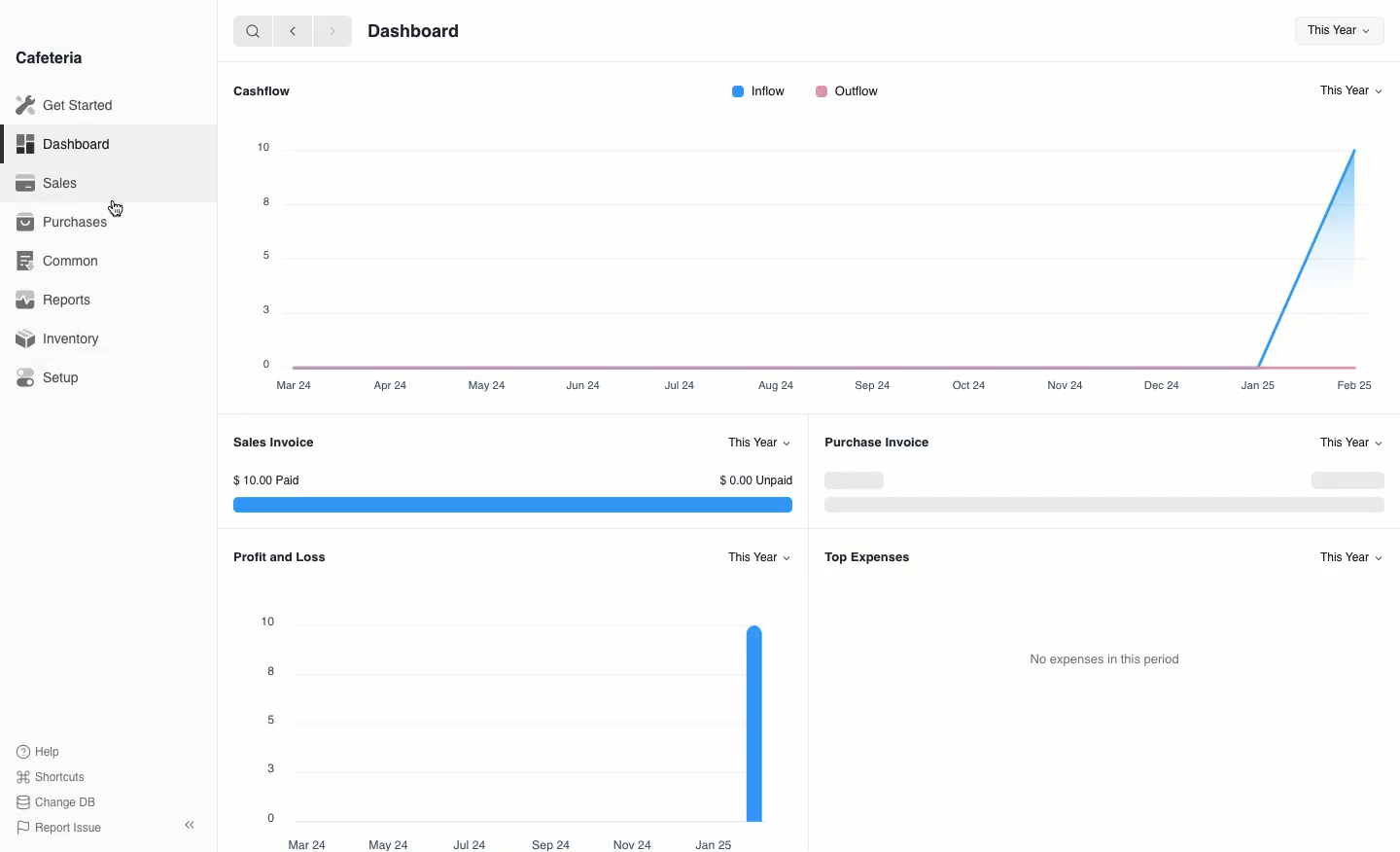 The width and height of the screenshot is (1400, 852). What do you see at coordinates (266, 201) in the screenshot?
I see `8` at bounding box center [266, 201].